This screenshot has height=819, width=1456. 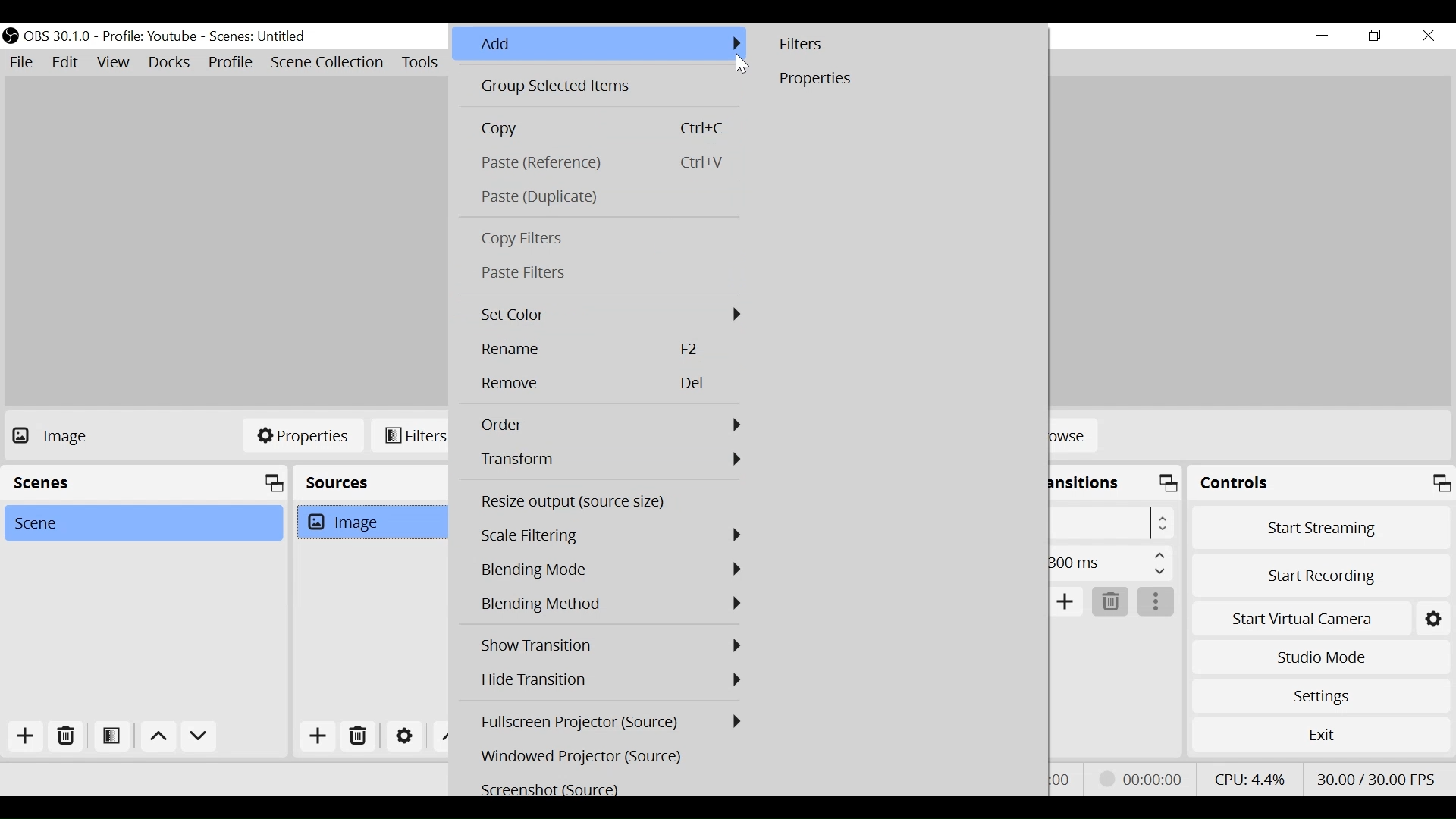 What do you see at coordinates (611, 315) in the screenshot?
I see `Set Color` at bounding box center [611, 315].